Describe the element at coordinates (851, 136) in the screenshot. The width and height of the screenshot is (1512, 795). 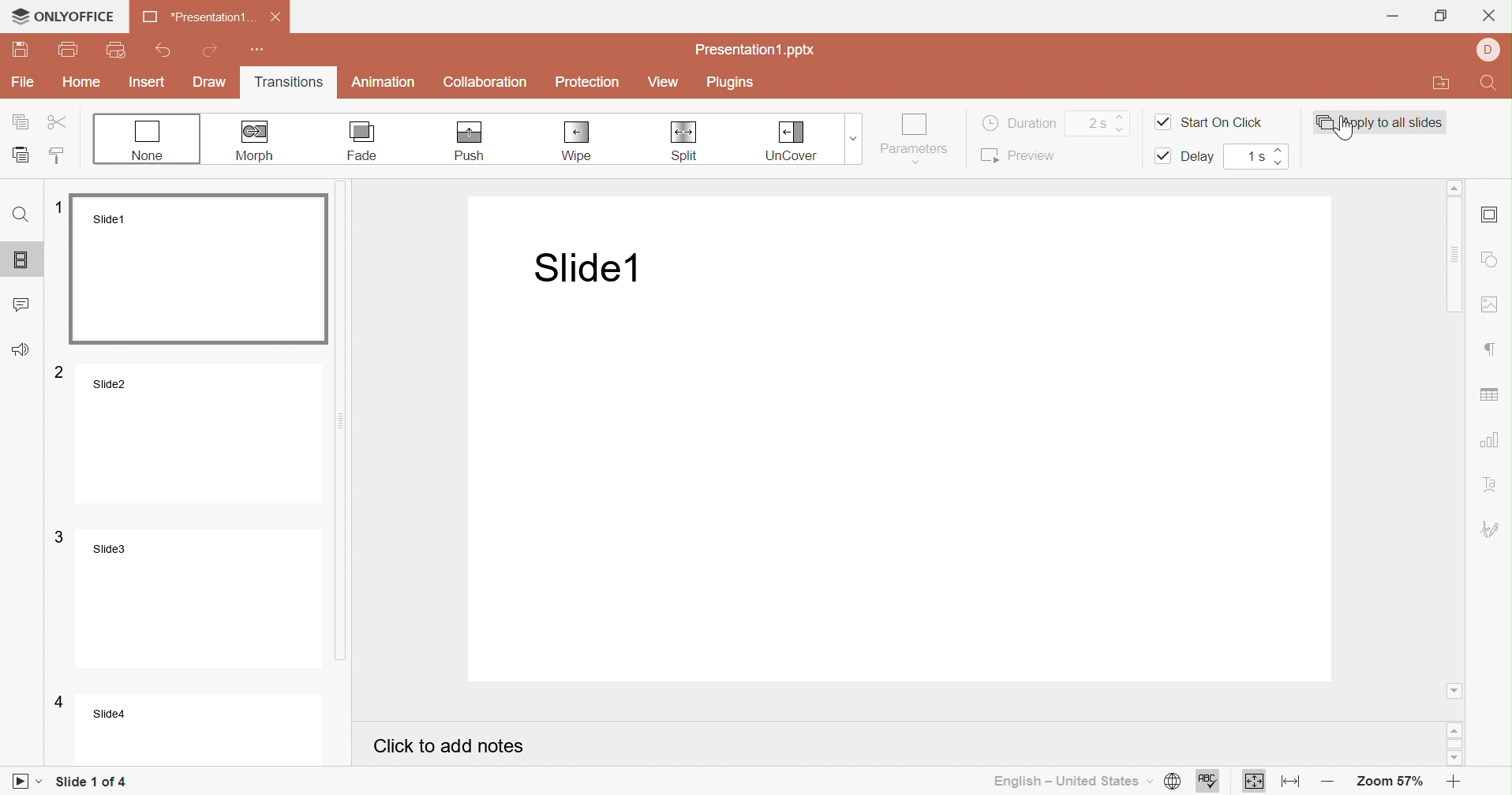
I see `Drop down` at that location.